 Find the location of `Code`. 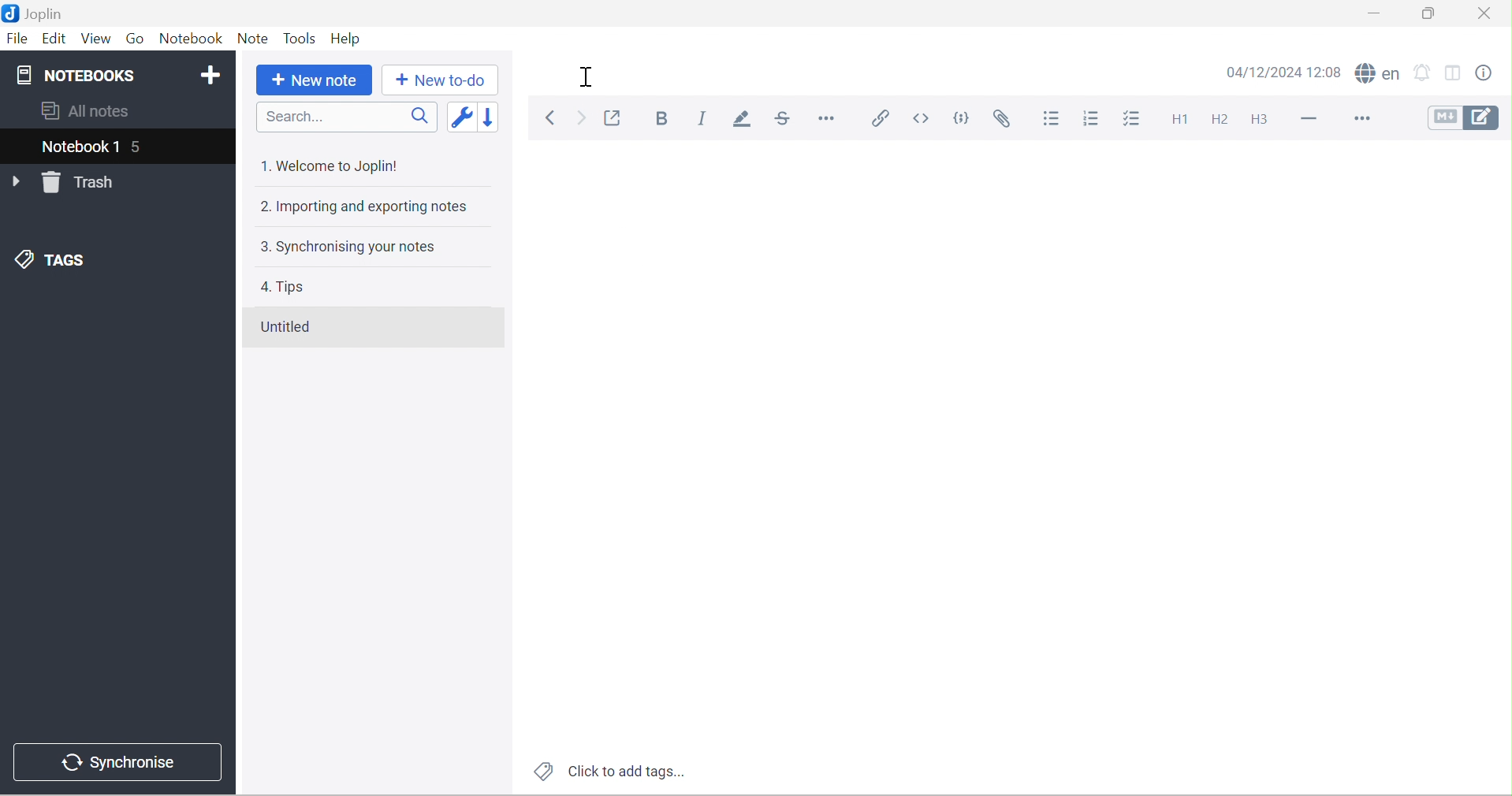

Code is located at coordinates (962, 115).